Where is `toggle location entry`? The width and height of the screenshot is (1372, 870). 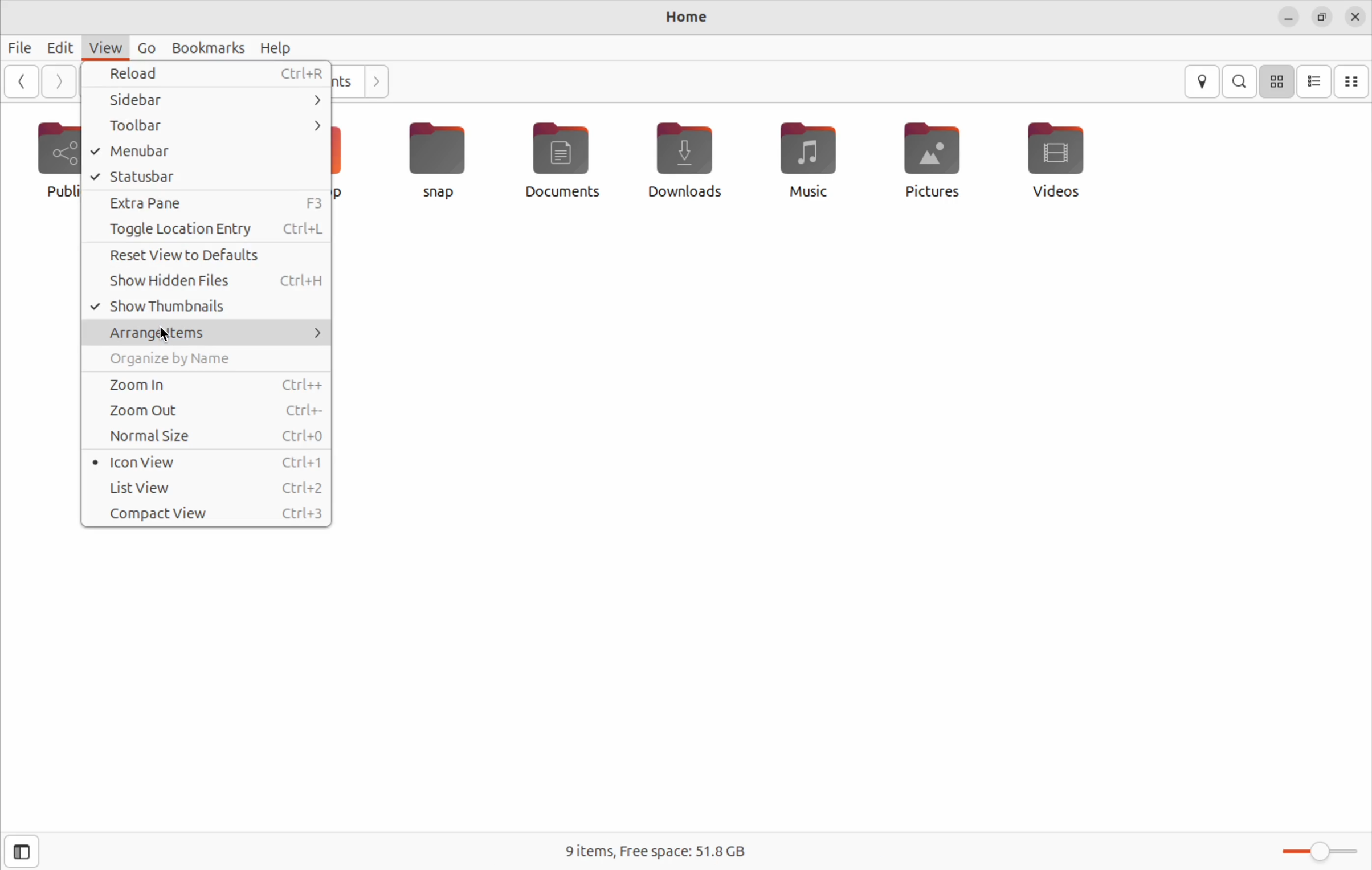
toggle location entry is located at coordinates (210, 229).